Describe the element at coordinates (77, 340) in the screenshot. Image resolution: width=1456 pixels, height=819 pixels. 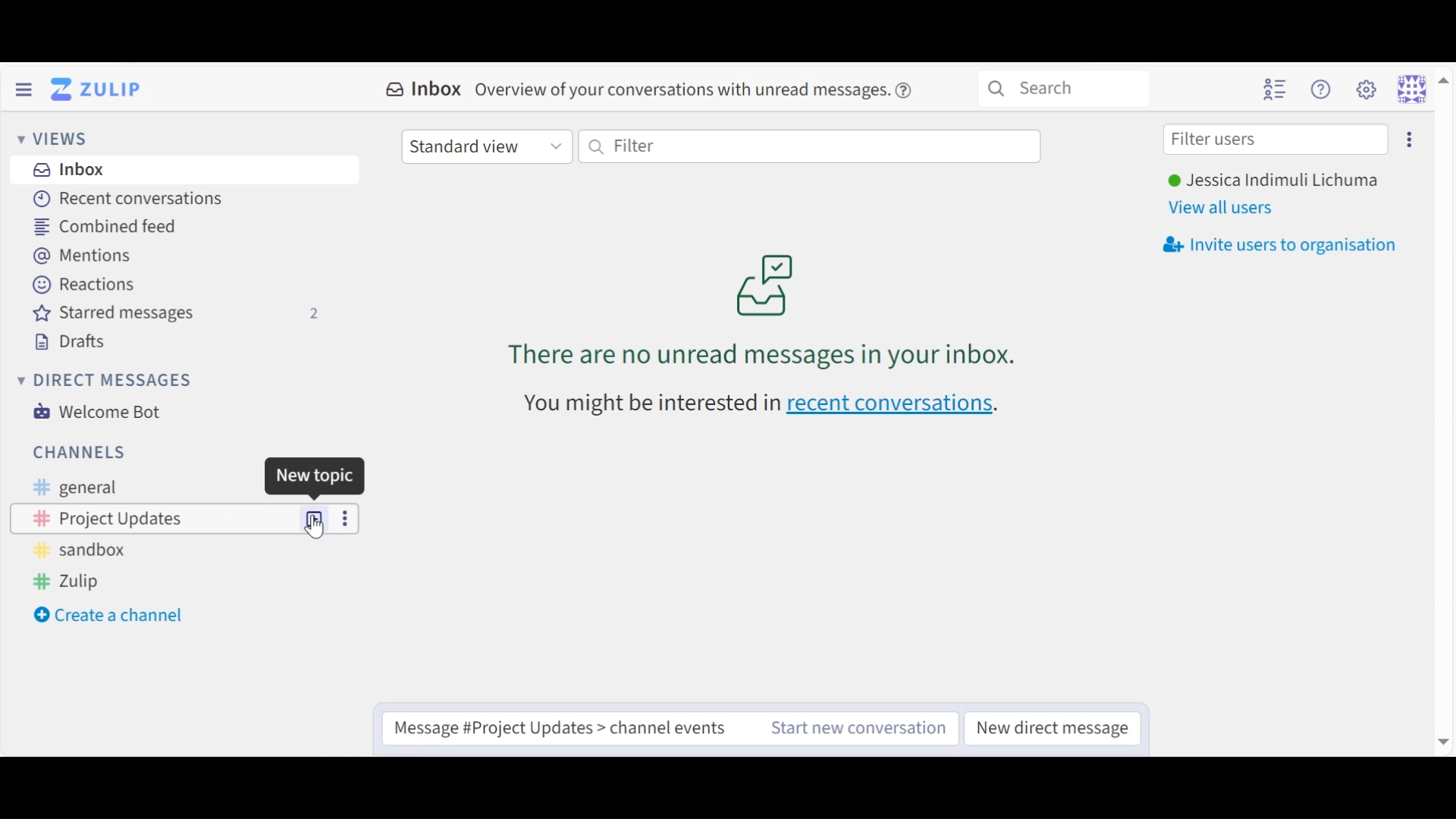
I see `Drafts` at that location.